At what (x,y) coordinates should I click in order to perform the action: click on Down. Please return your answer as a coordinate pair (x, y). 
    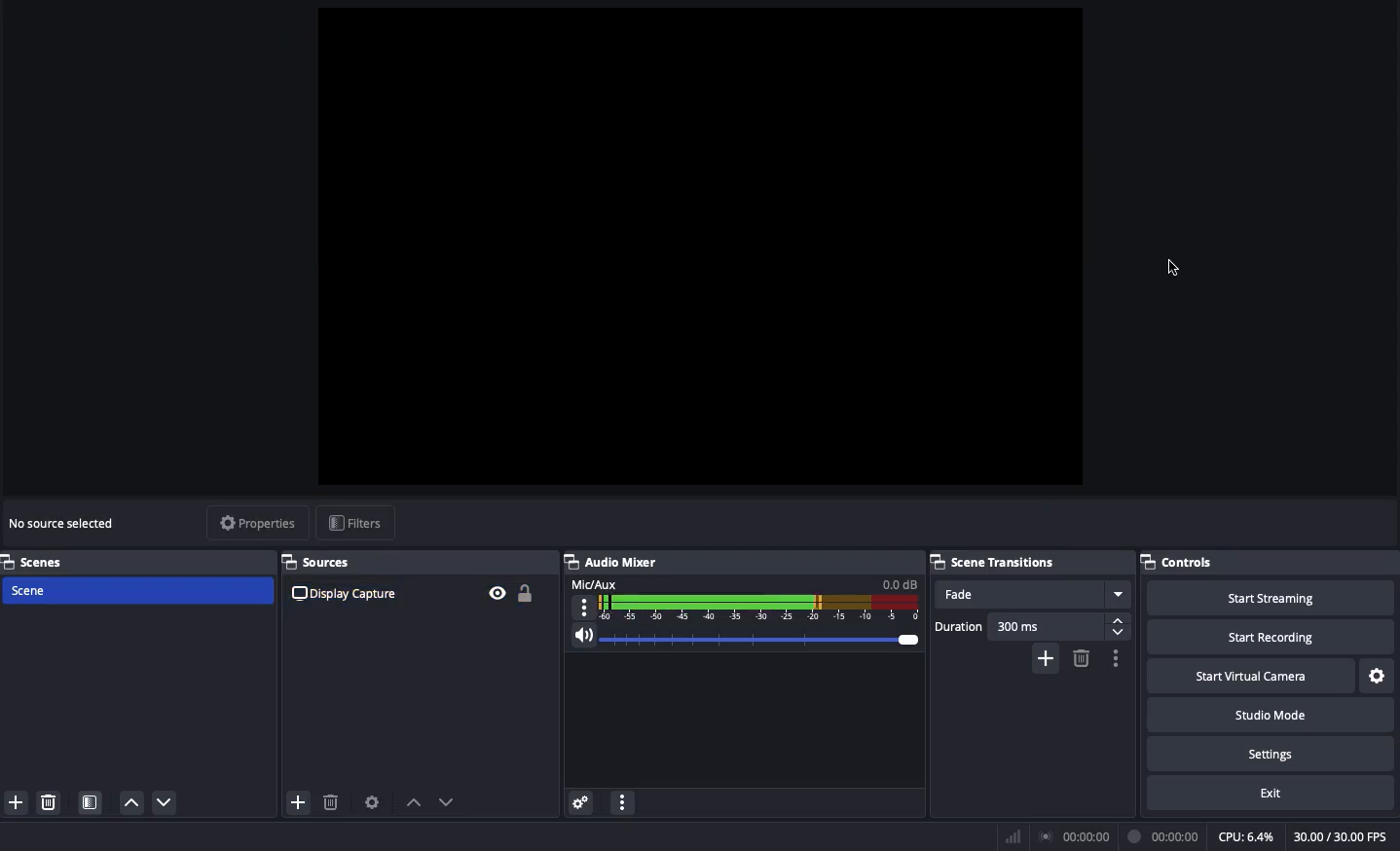
    Looking at the image, I should click on (451, 804).